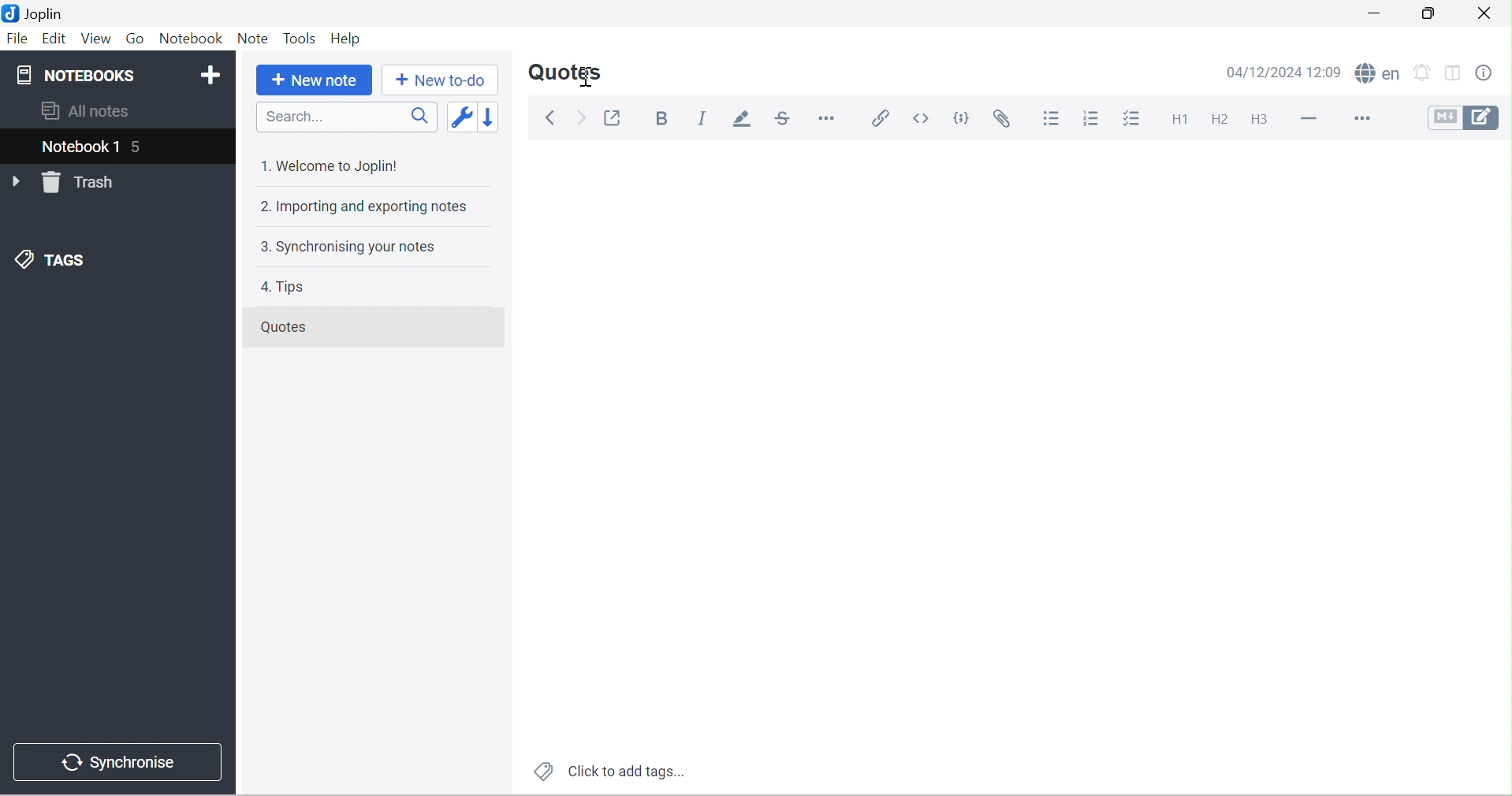 The image size is (1512, 796). Describe the element at coordinates (441, 83) in the screenshot. I see `New to-do` at that location.